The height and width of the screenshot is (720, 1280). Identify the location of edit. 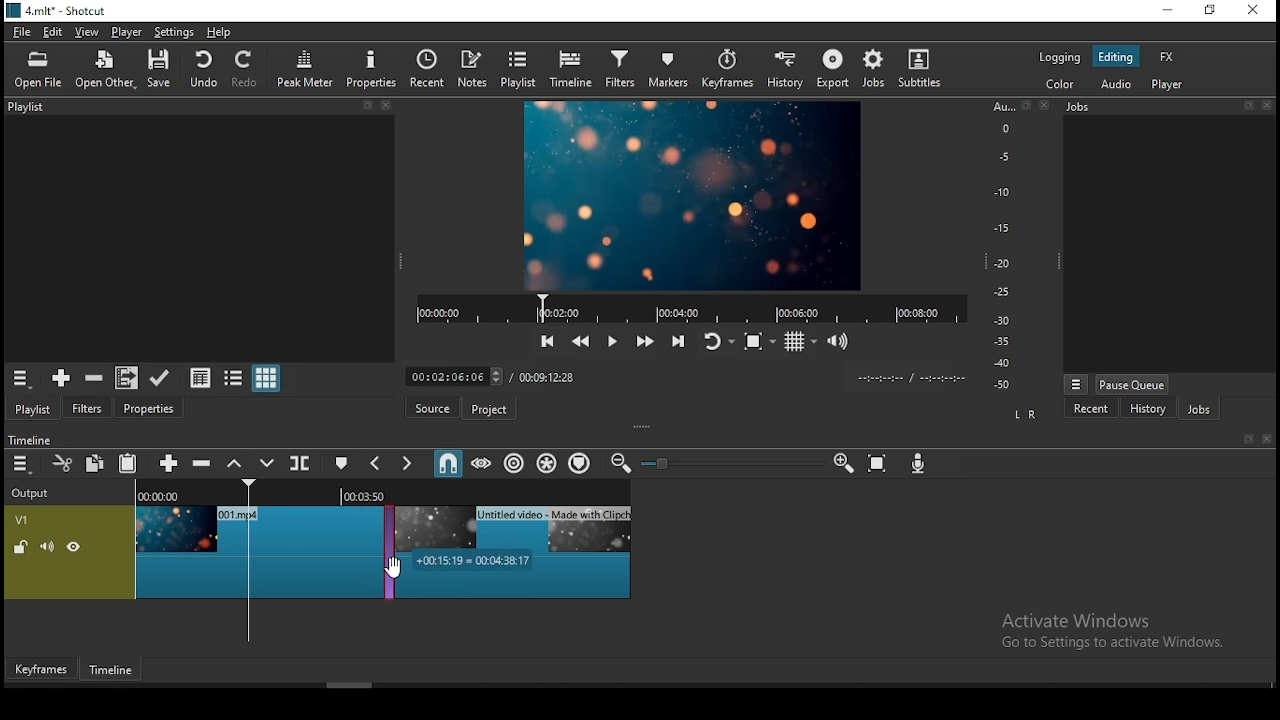
(56, 31).